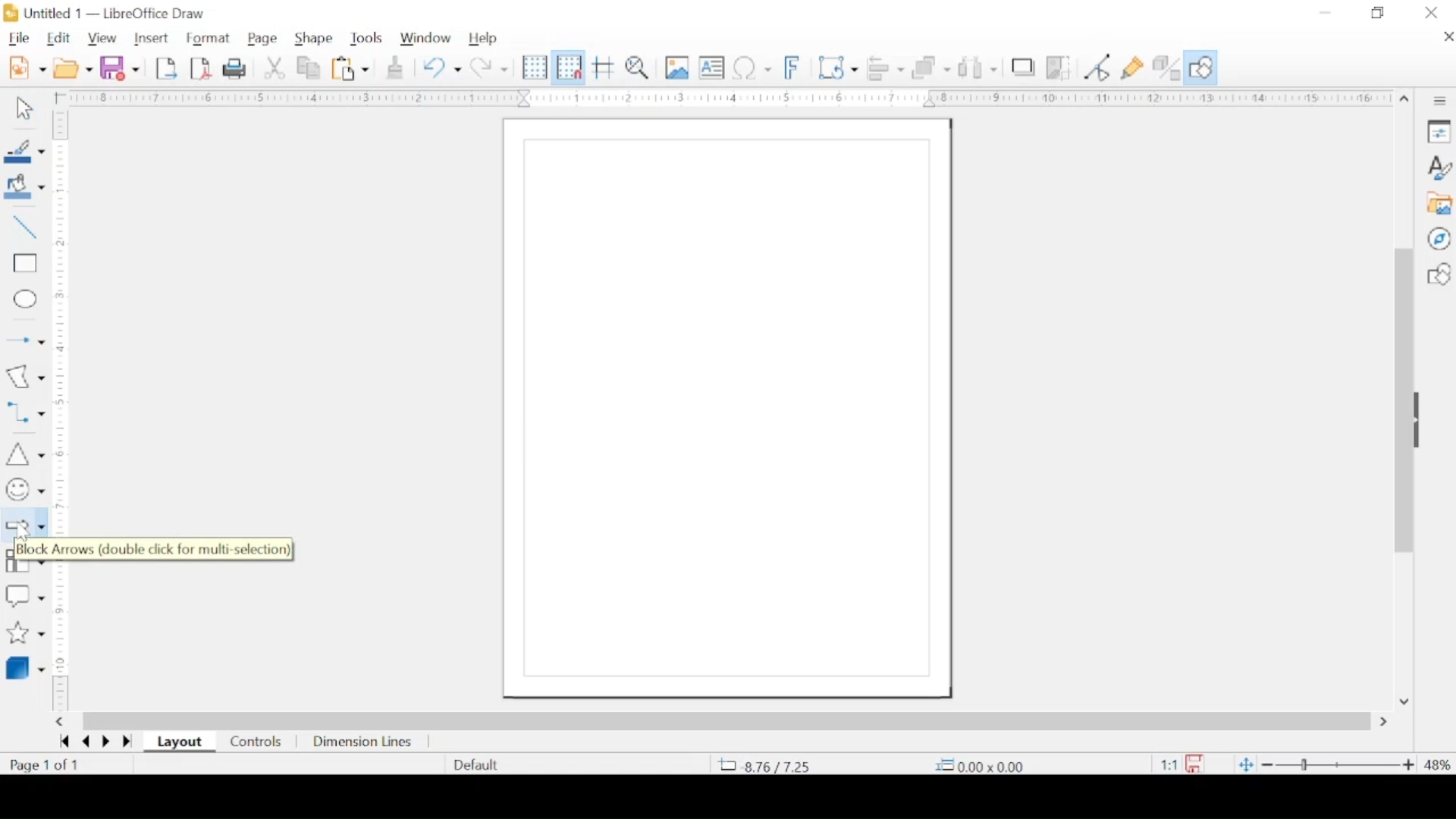 The width and height of the screenshot is (1456, 819). Describe the element at coordinates (1438, 274) in the screenshot. I see `basic shape` at that location.